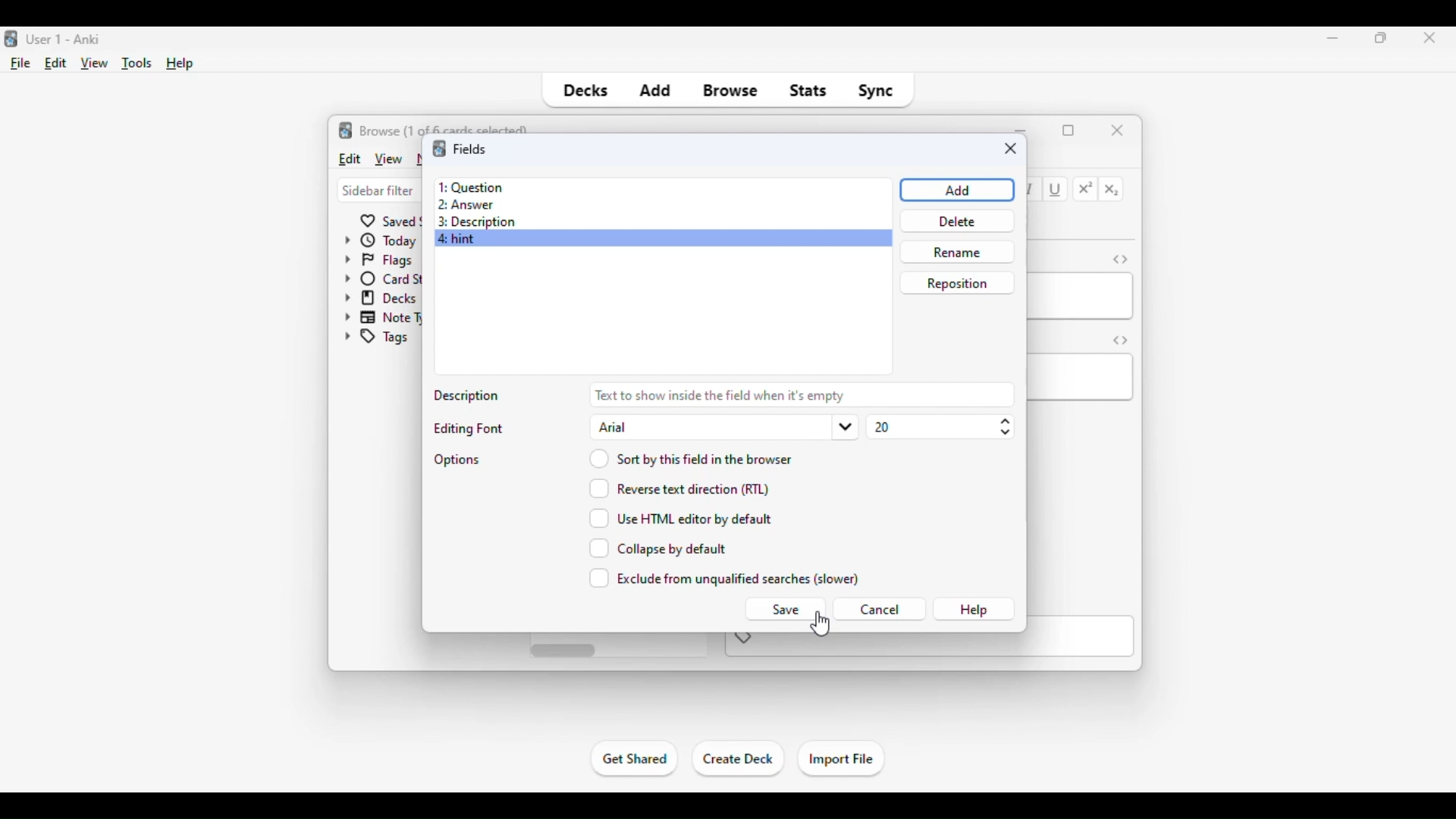  I want to click on logo, so click(438, 149).